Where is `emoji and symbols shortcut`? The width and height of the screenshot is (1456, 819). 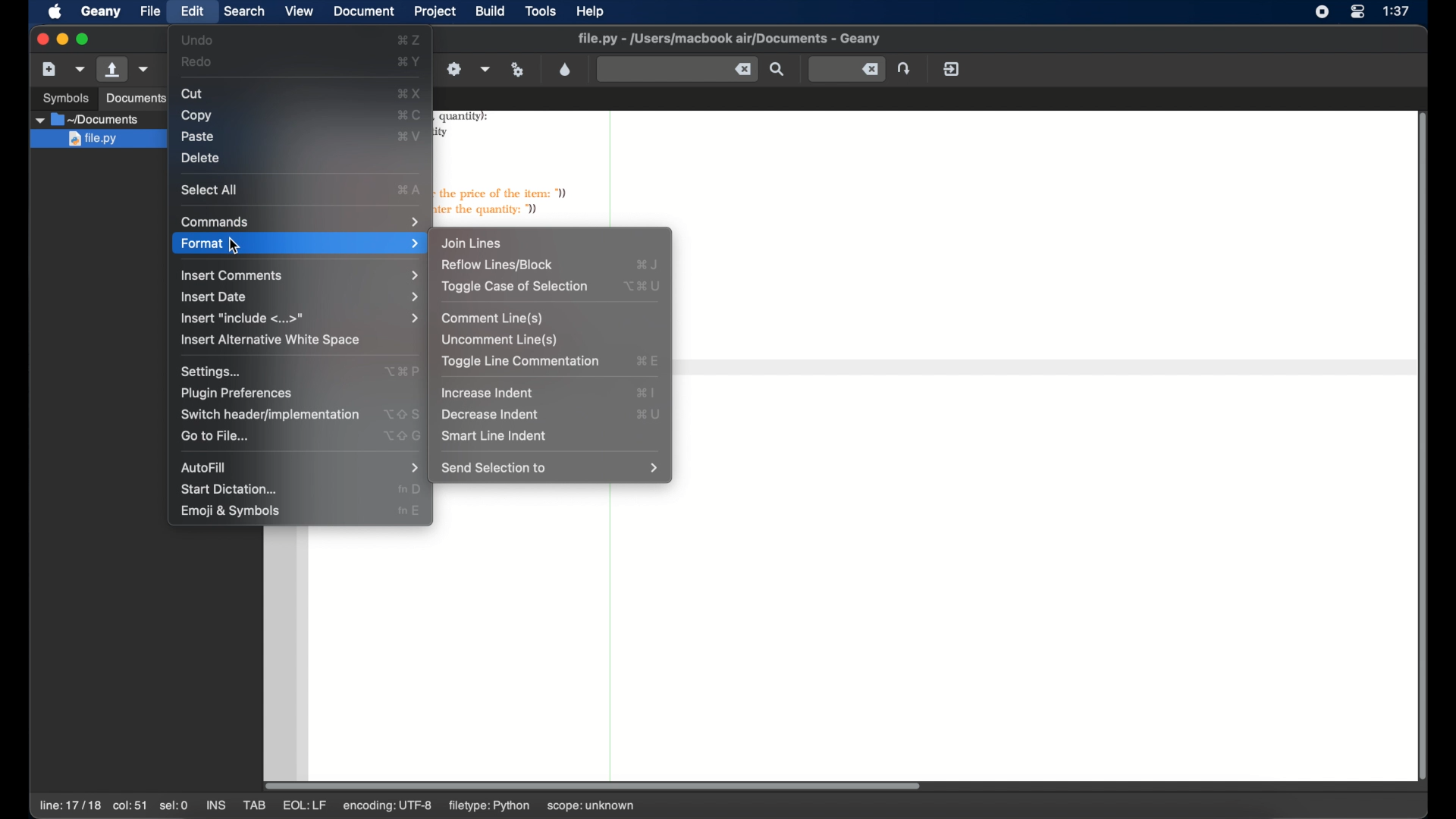
emoji and symbols shortcut is located at coordinates (409, 511).